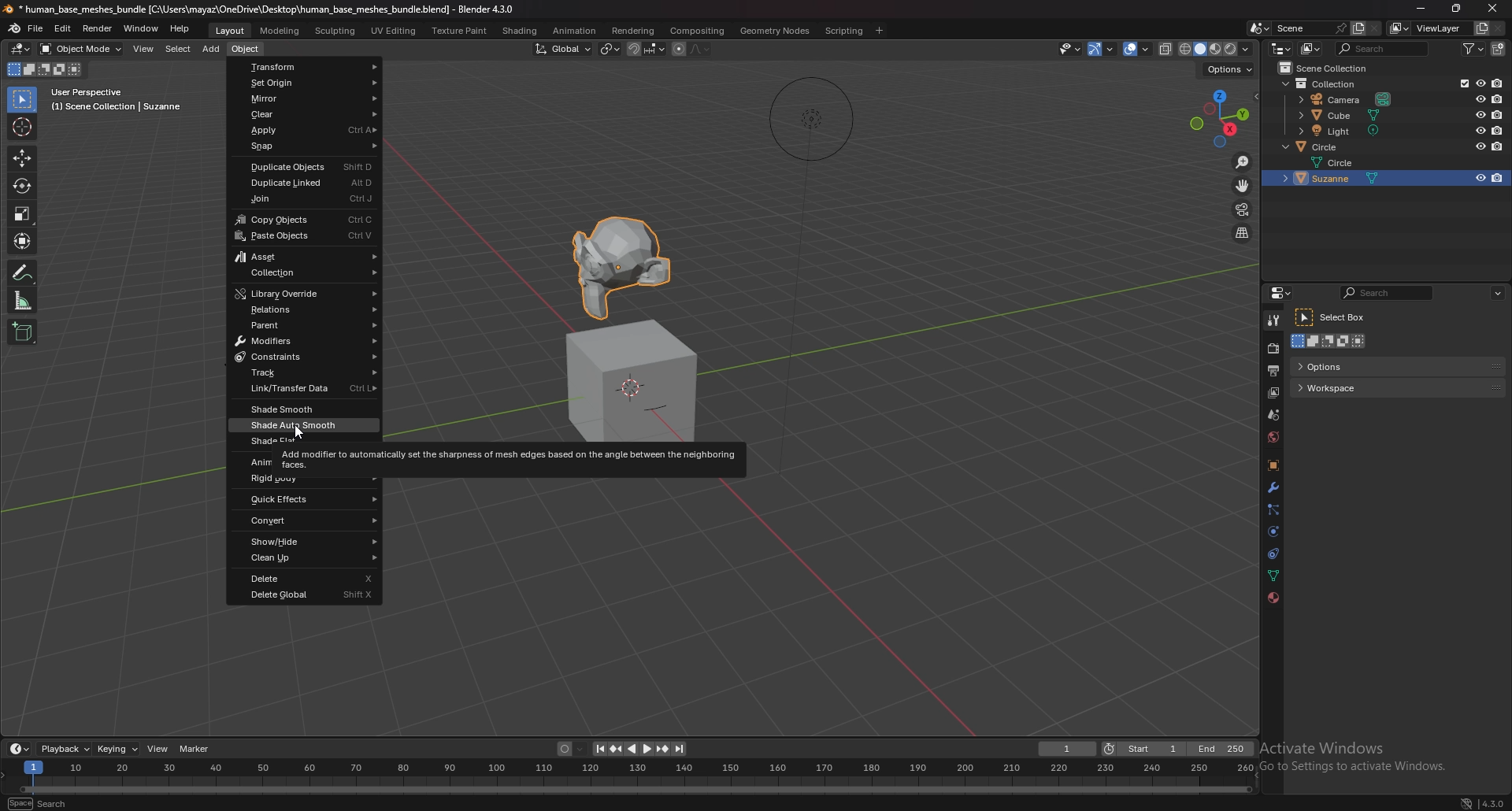 This screenshot has height=811, width=1512. Describe the element at coordinates (1166, 48) in the screenshot. I see `toggle xrays` at that location.